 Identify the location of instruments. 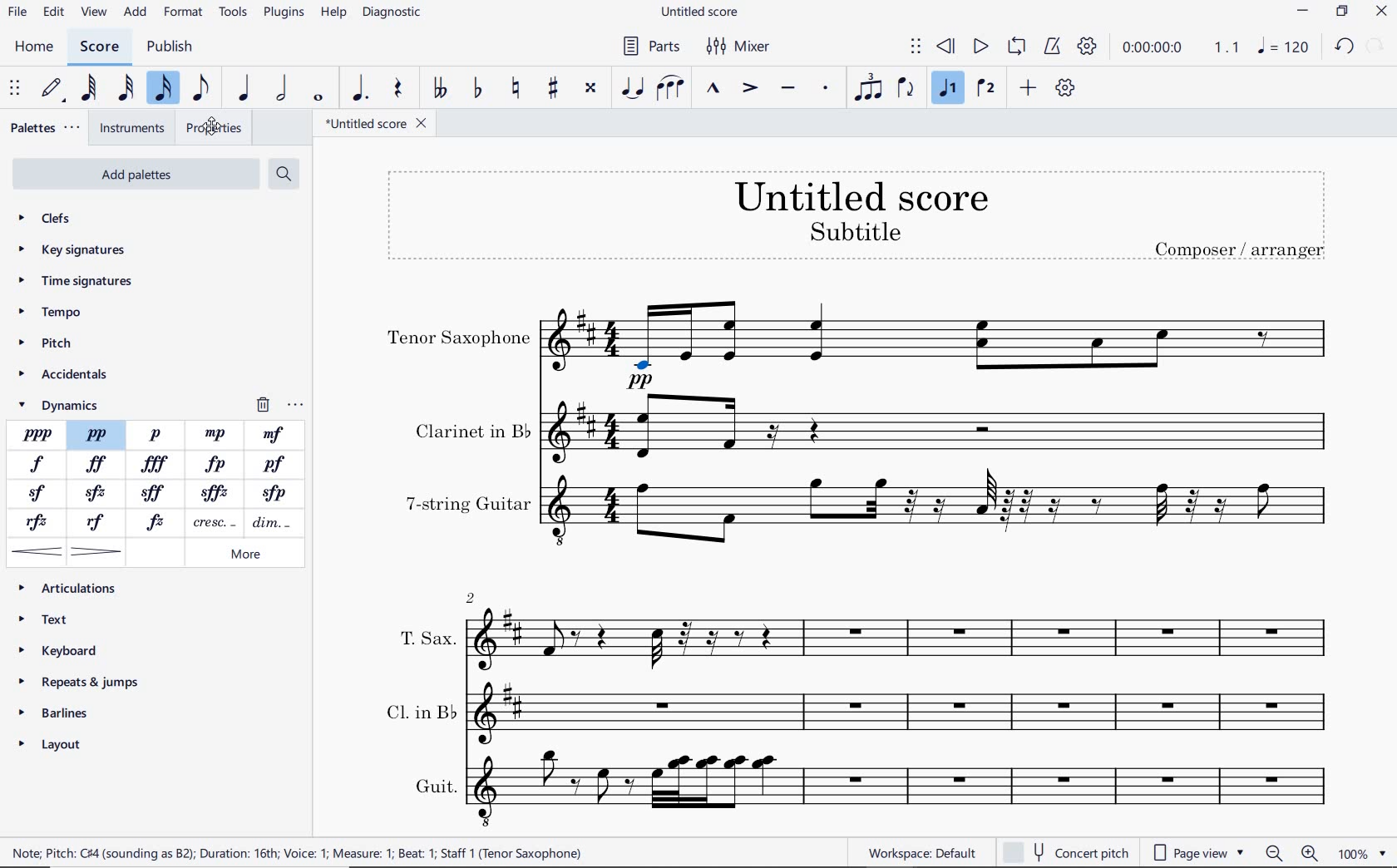
(132, 129).